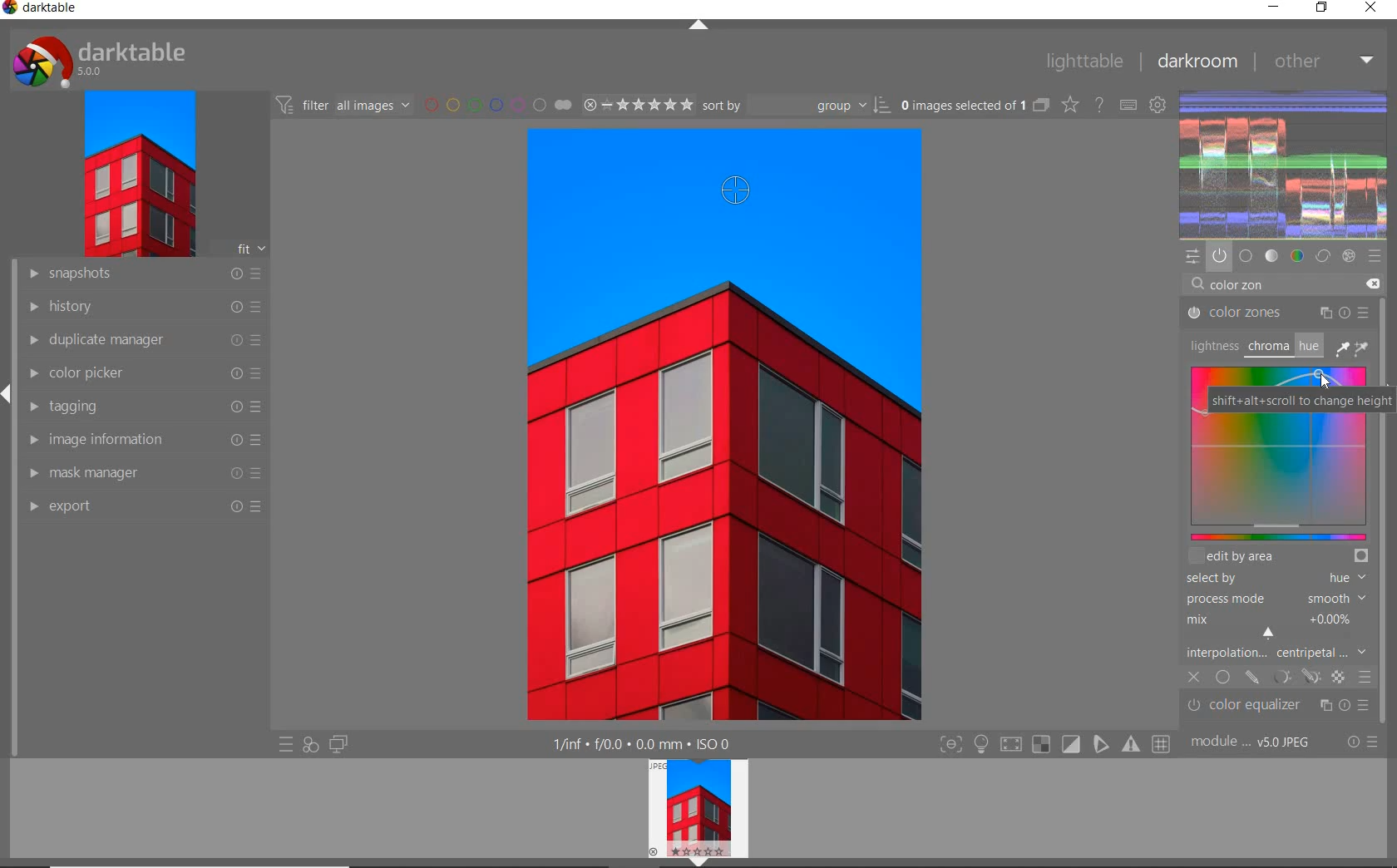 This screenshot has height=868, width=1397. Describe the element at coordinates (1272, 255) in the screenshot. I see `tone` at that location.